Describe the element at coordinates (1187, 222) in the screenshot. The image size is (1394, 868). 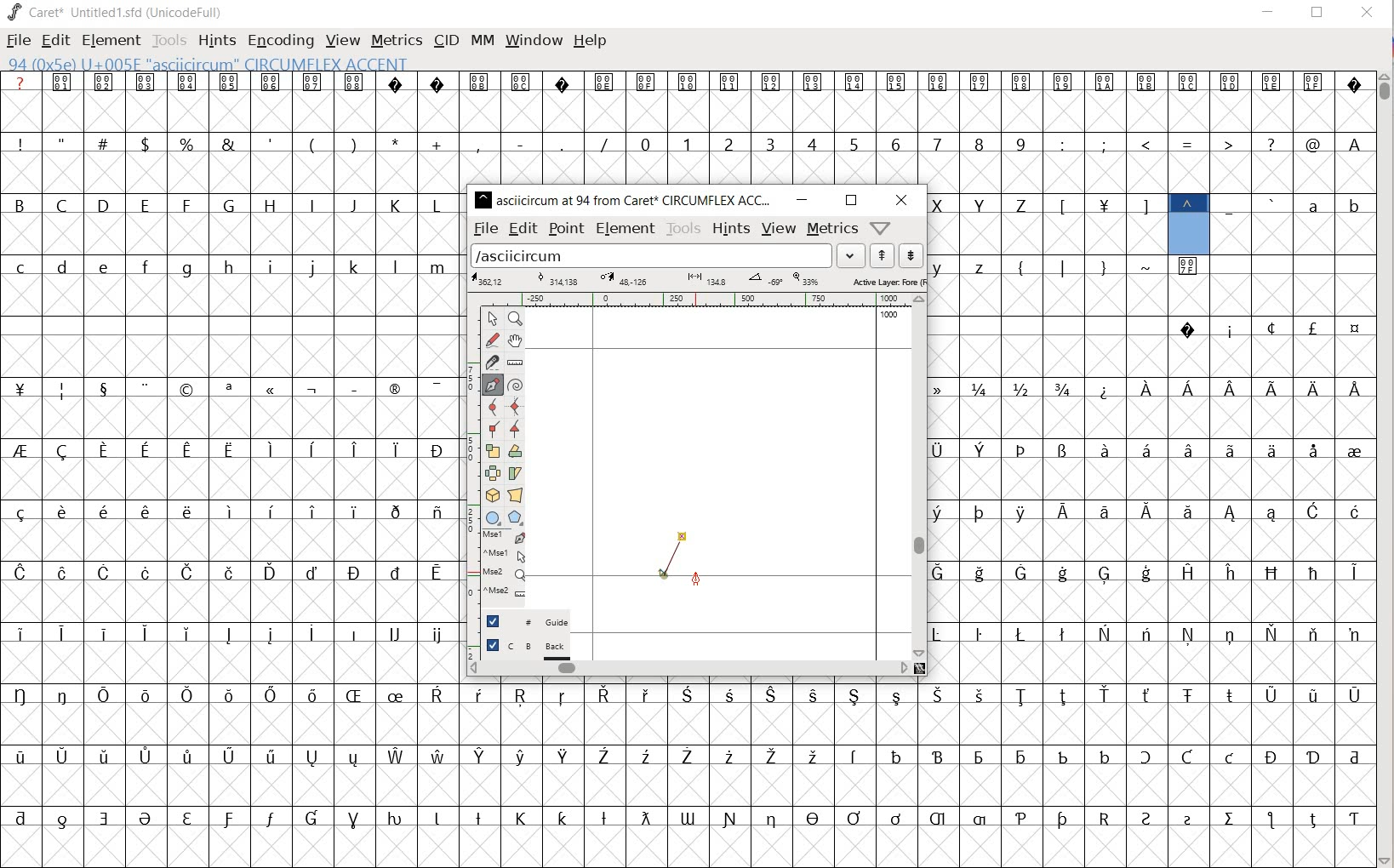
I see `94 0xSe U+00SE "asciicircum" CIRCUMFLEX ACCENT` at that location.